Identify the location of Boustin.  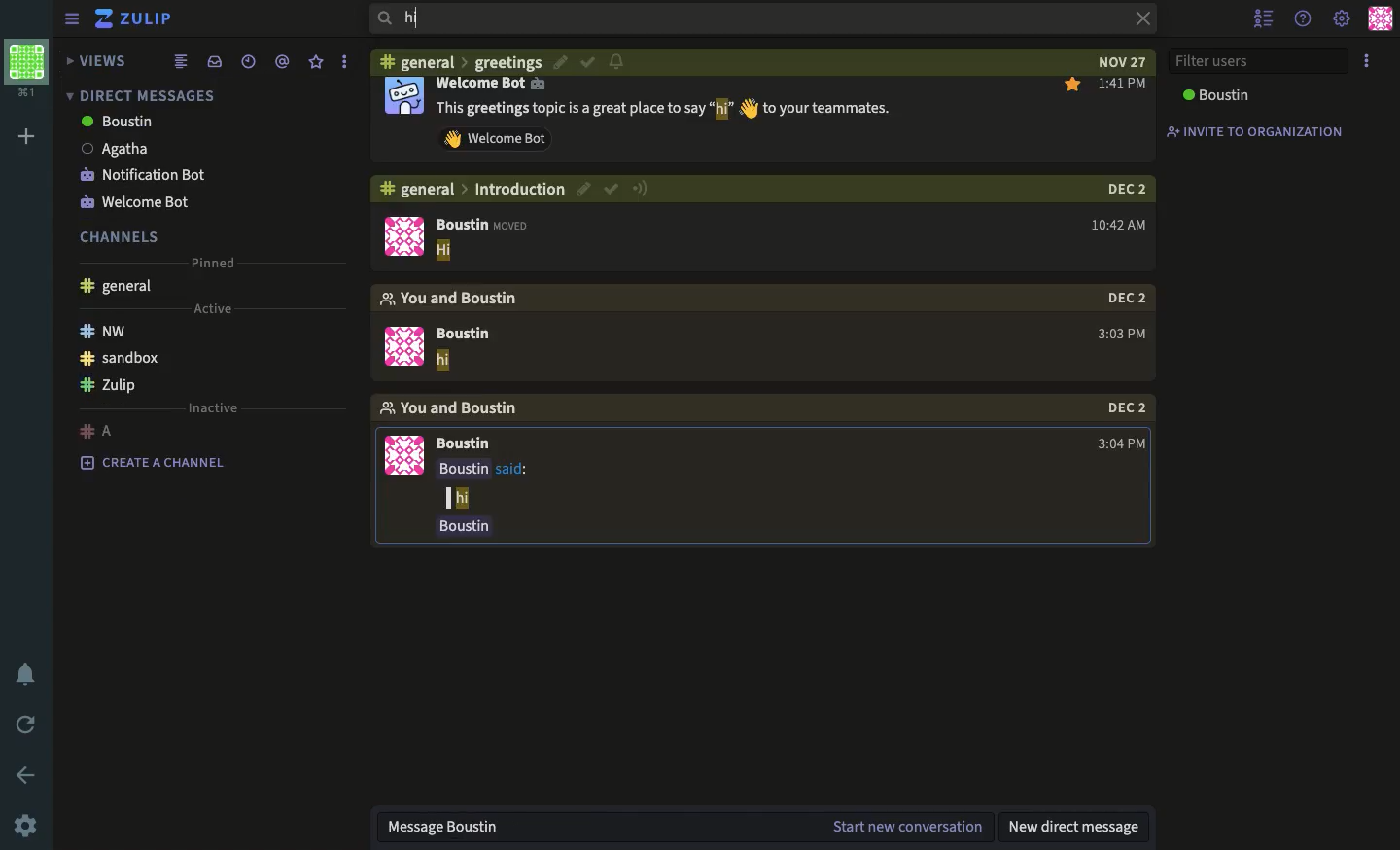
(461, 527).